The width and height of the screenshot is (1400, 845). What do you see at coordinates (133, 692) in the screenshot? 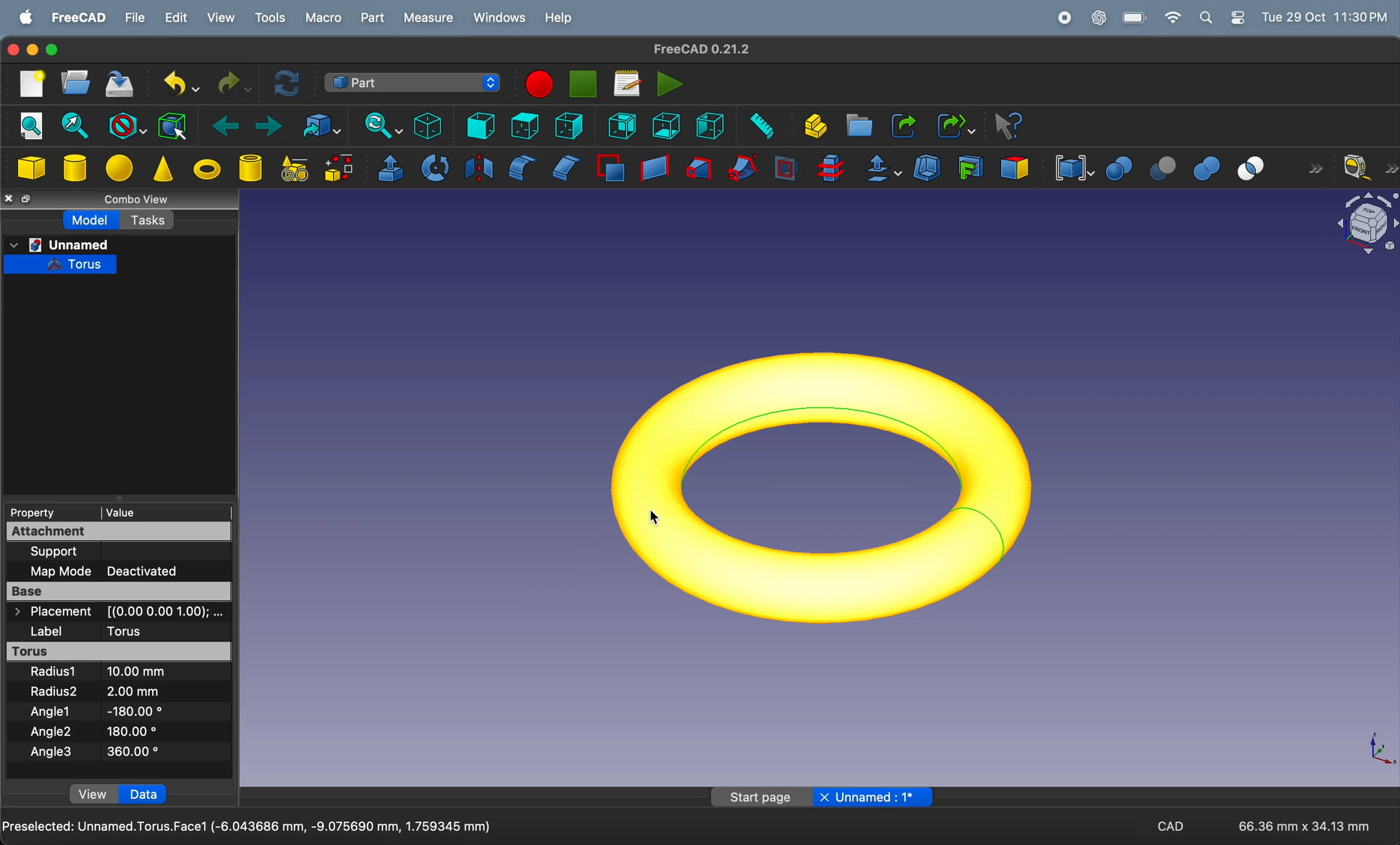
I see `2.00 mm` at bounding box center [133, 692].